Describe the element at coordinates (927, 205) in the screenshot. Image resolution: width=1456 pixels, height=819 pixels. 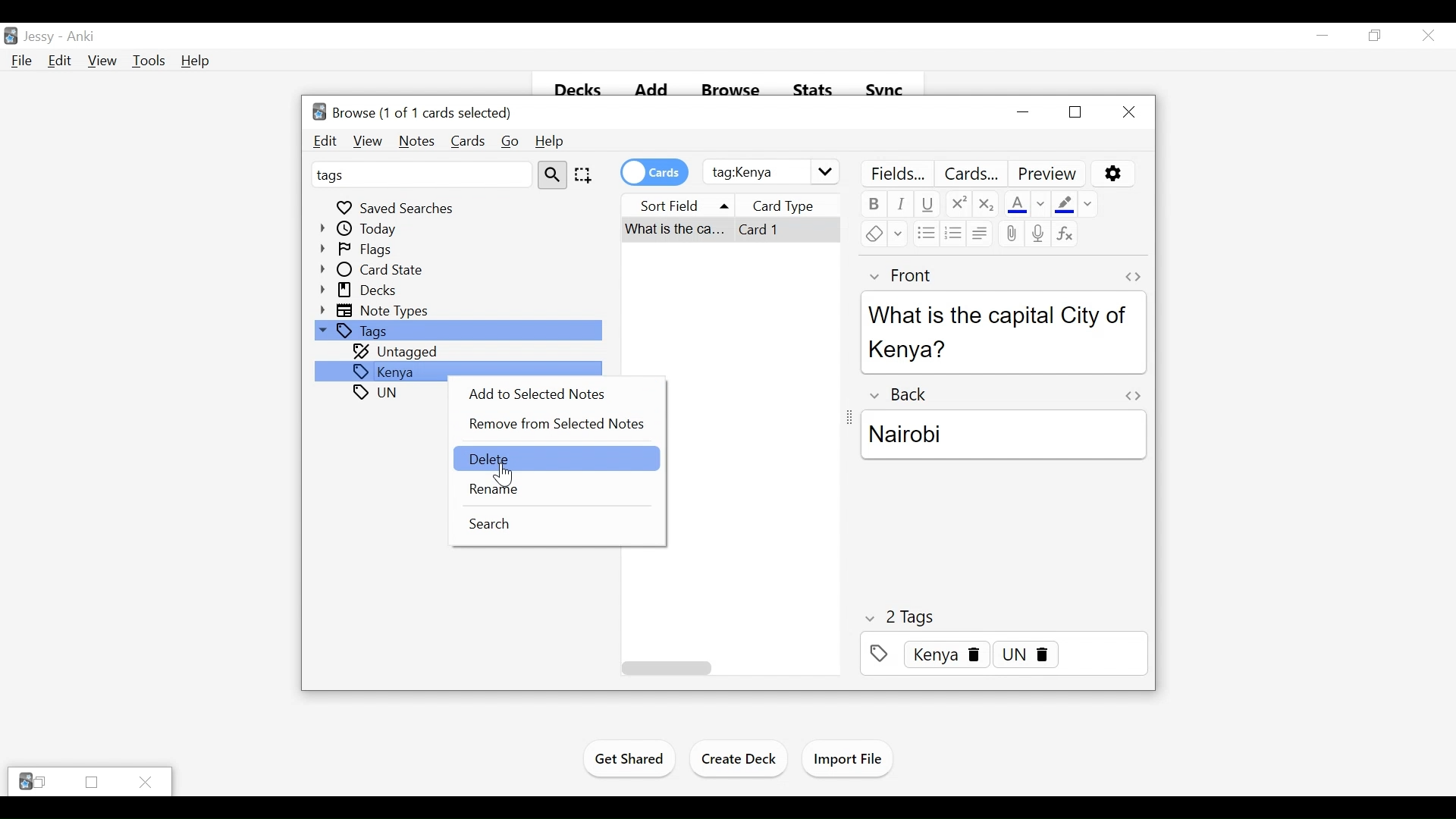
I see `Underline` at that location.